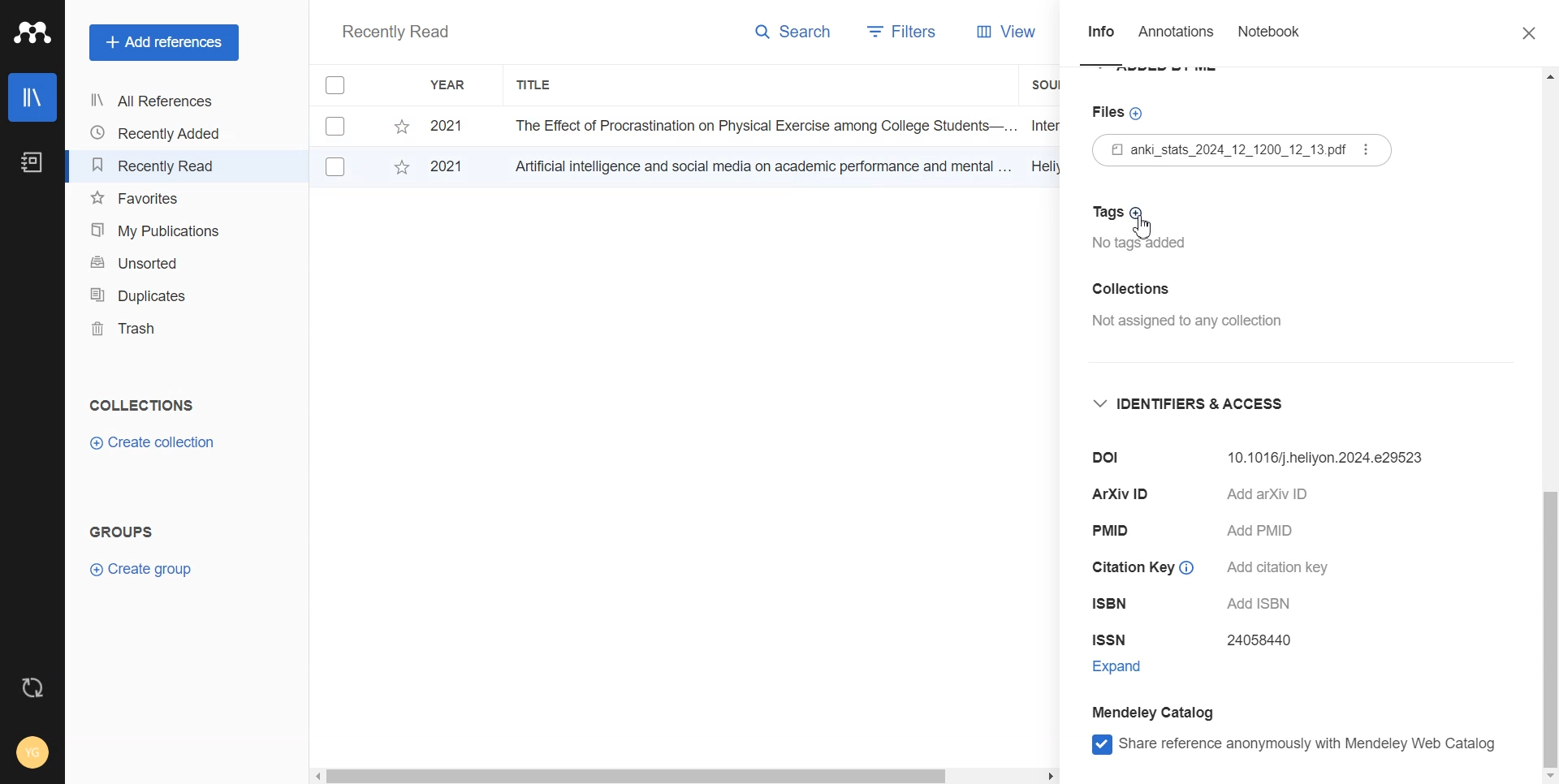  Describe the element at coordinates (1549, 426) in the screenshot. I see `Vertical scroll bar` at that location.